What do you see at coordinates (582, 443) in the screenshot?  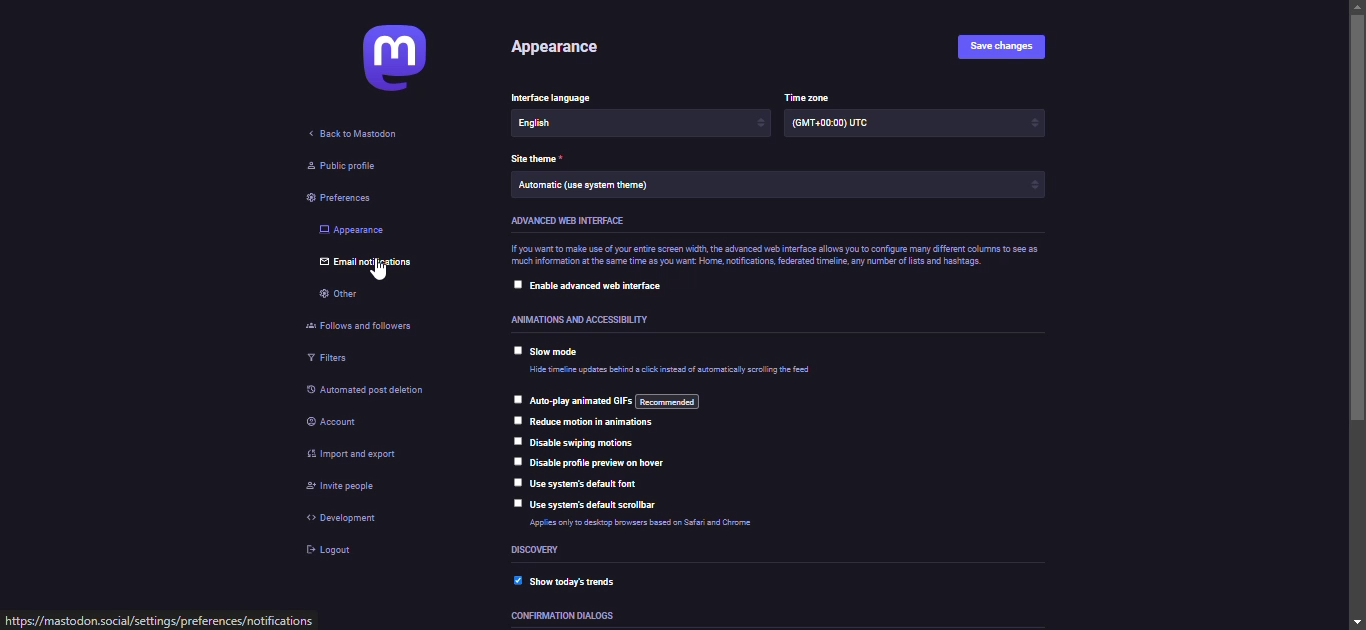 I see `disable swiping motions` at bounding box center [582, 443].